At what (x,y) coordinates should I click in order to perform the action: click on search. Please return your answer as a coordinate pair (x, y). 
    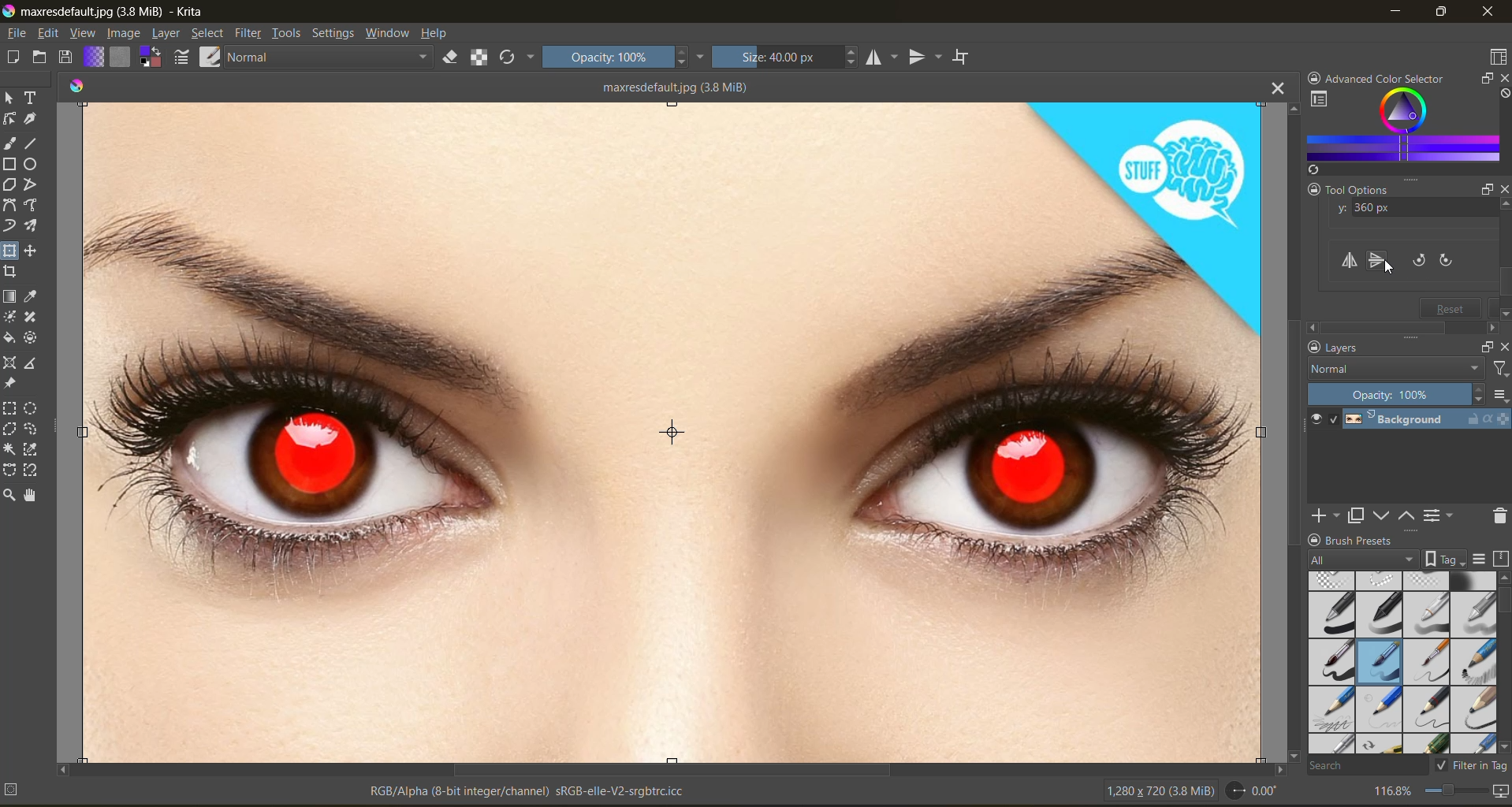
    Looking at the image, I should click on (1365, 767).